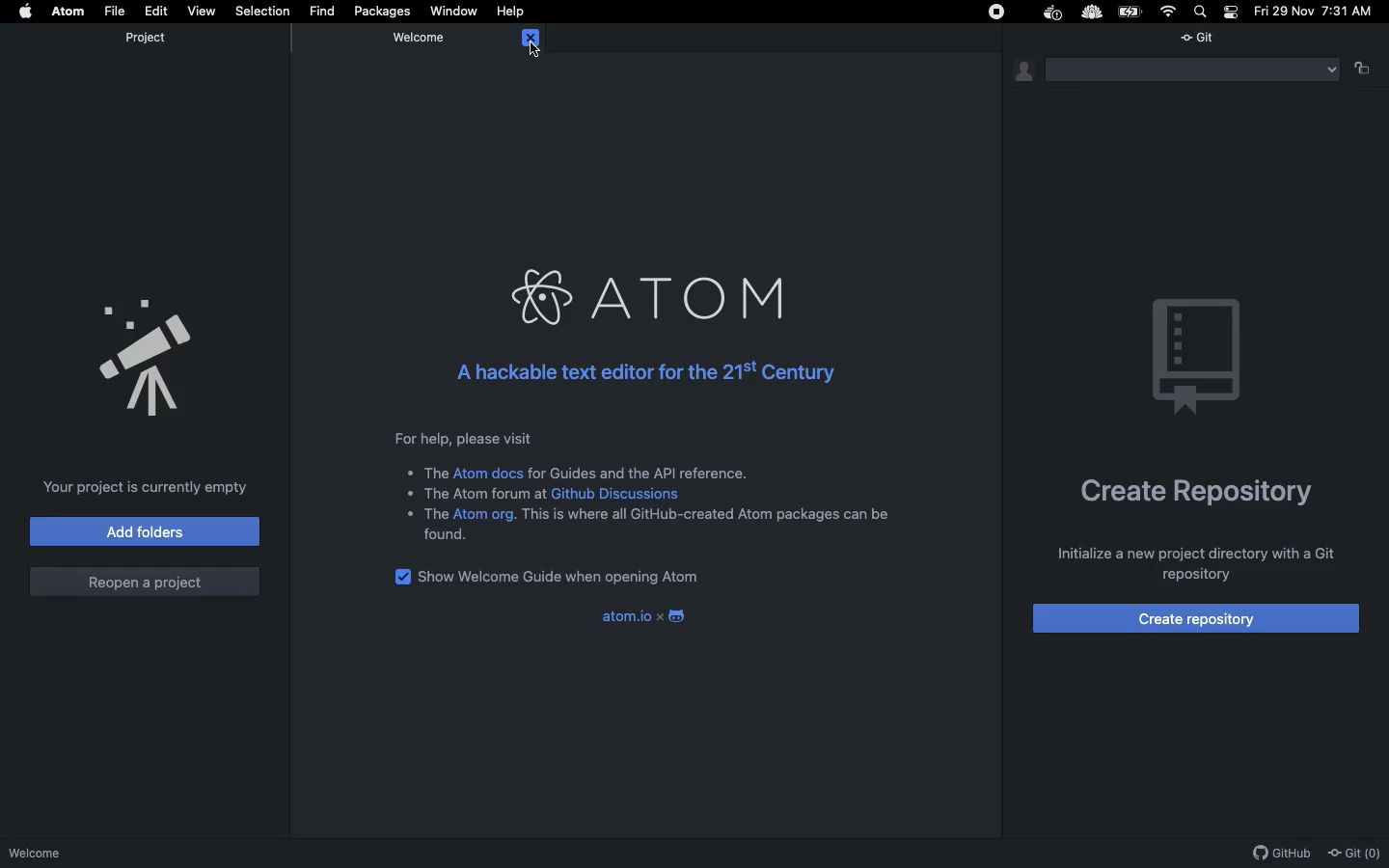 The width and height of the screenshot is (1389, 868). Describe the element at coordinates (157, 10) in the screenshot. I see `Edit` at that location.